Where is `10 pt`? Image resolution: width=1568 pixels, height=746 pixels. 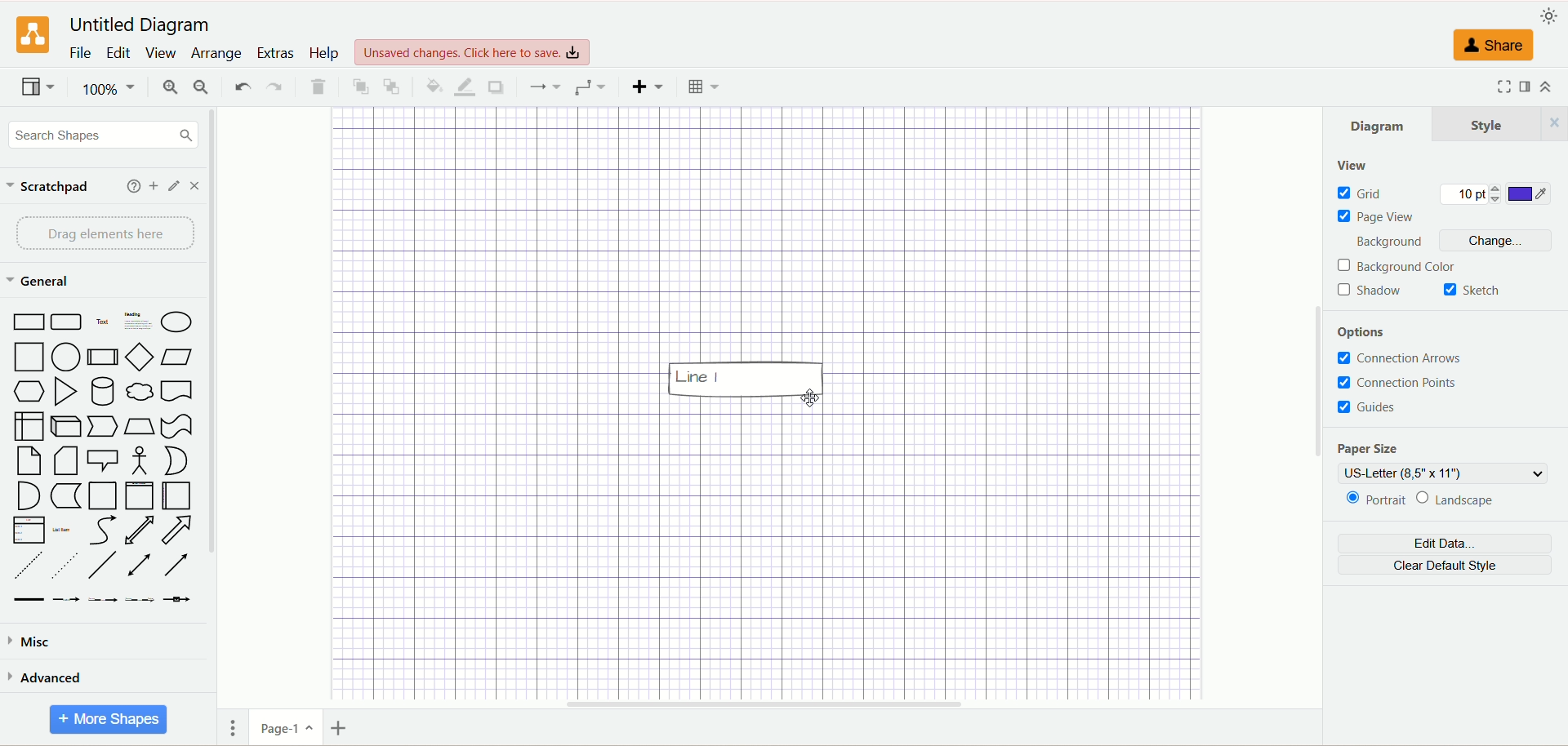
10 pt is located at coordinates (1472, 194).